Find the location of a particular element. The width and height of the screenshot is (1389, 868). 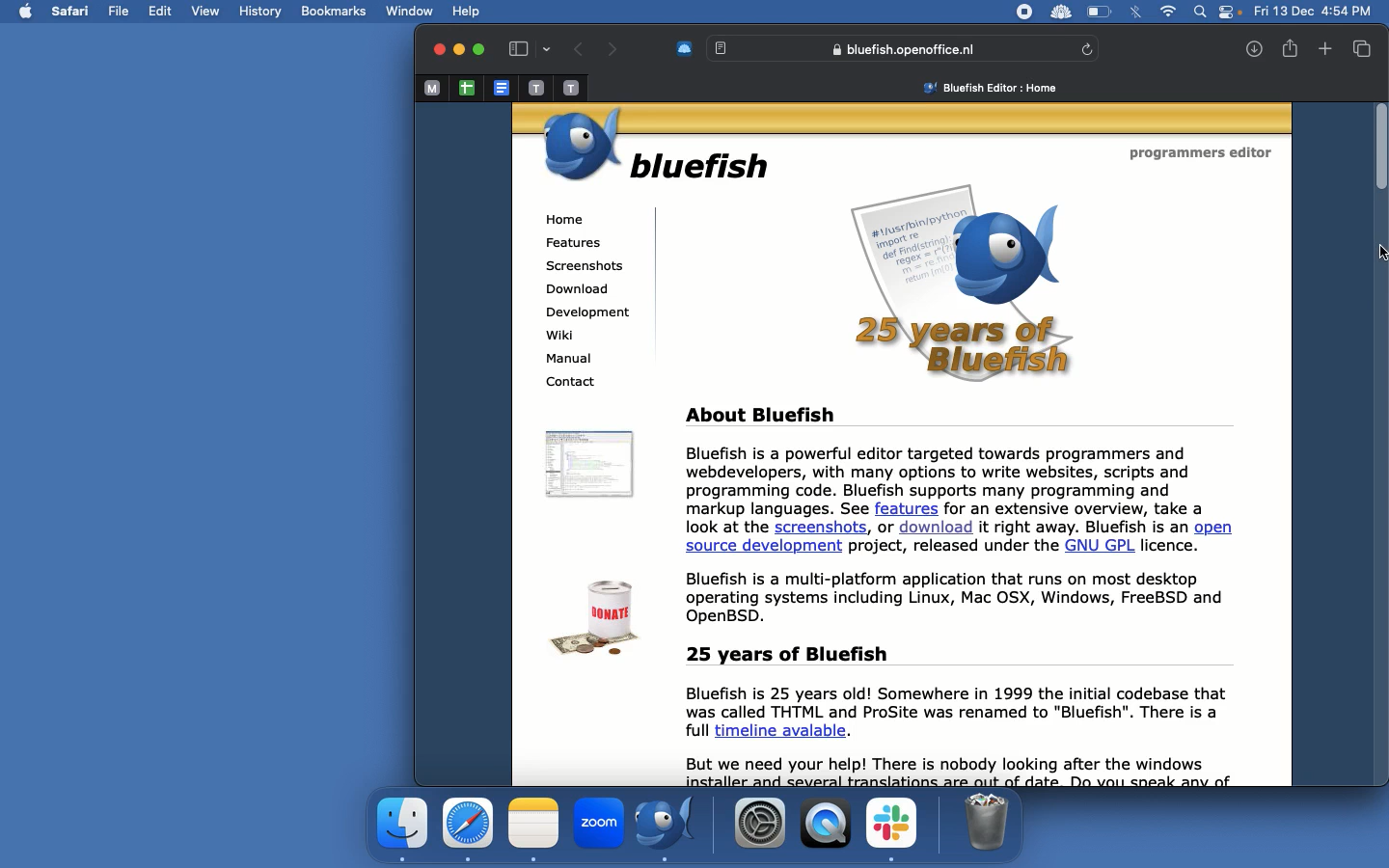

Google doc tab is located at coordinates (502, 88).